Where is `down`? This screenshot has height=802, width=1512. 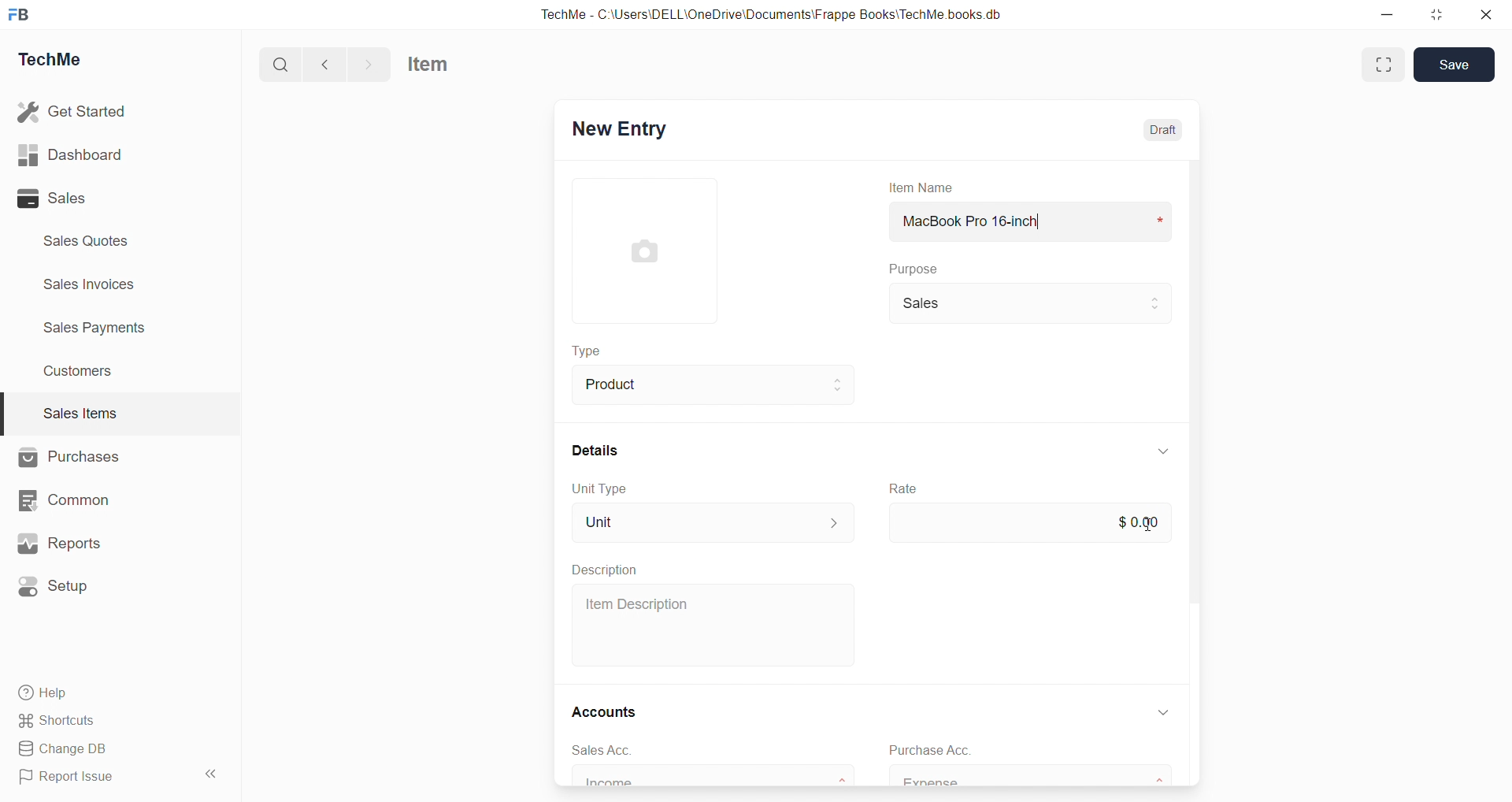 down is located at coordinates (1162, 452).